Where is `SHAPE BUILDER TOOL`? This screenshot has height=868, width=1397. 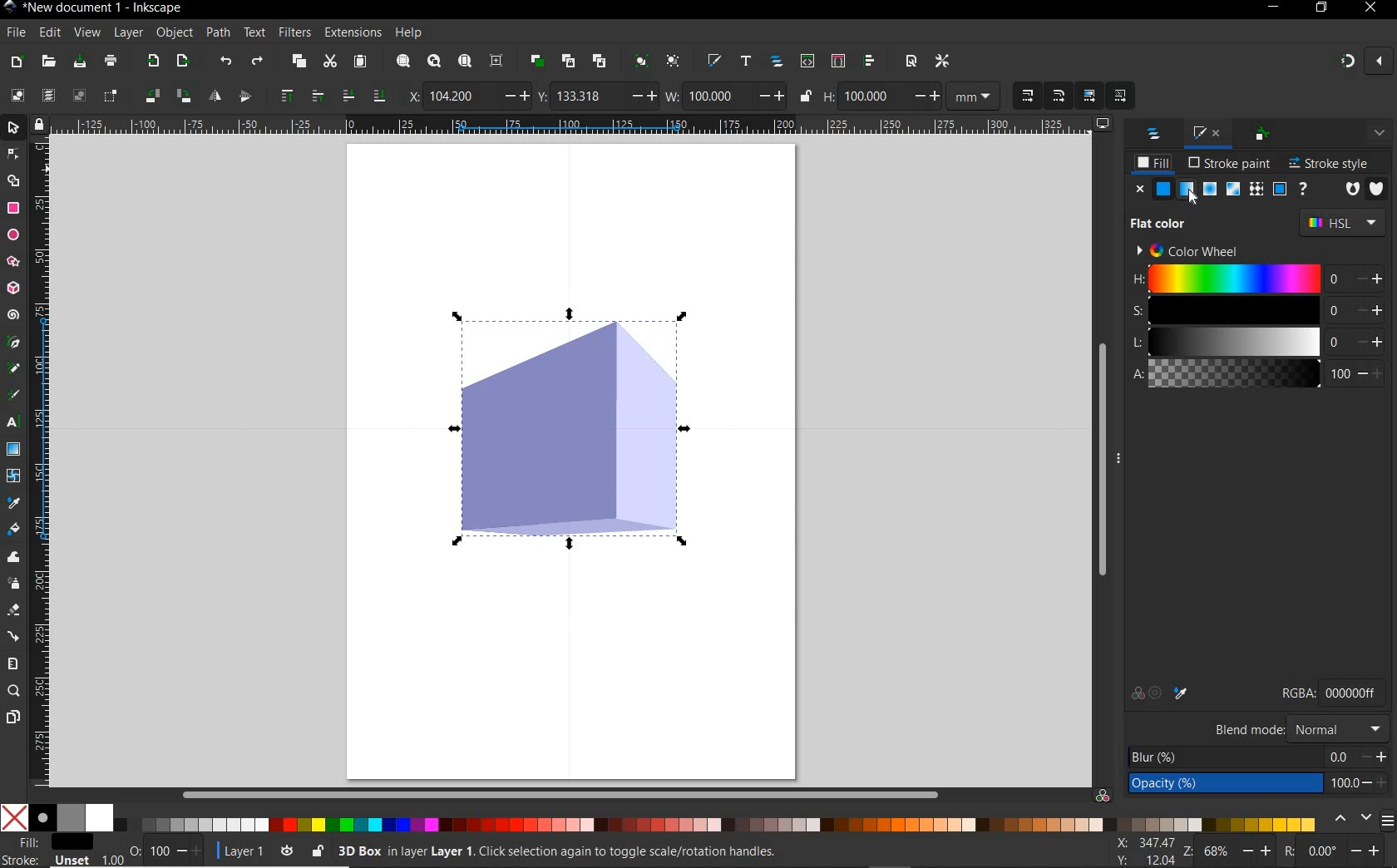
SHAPE BUILDER TOOL is located at coordinates (12, 181).